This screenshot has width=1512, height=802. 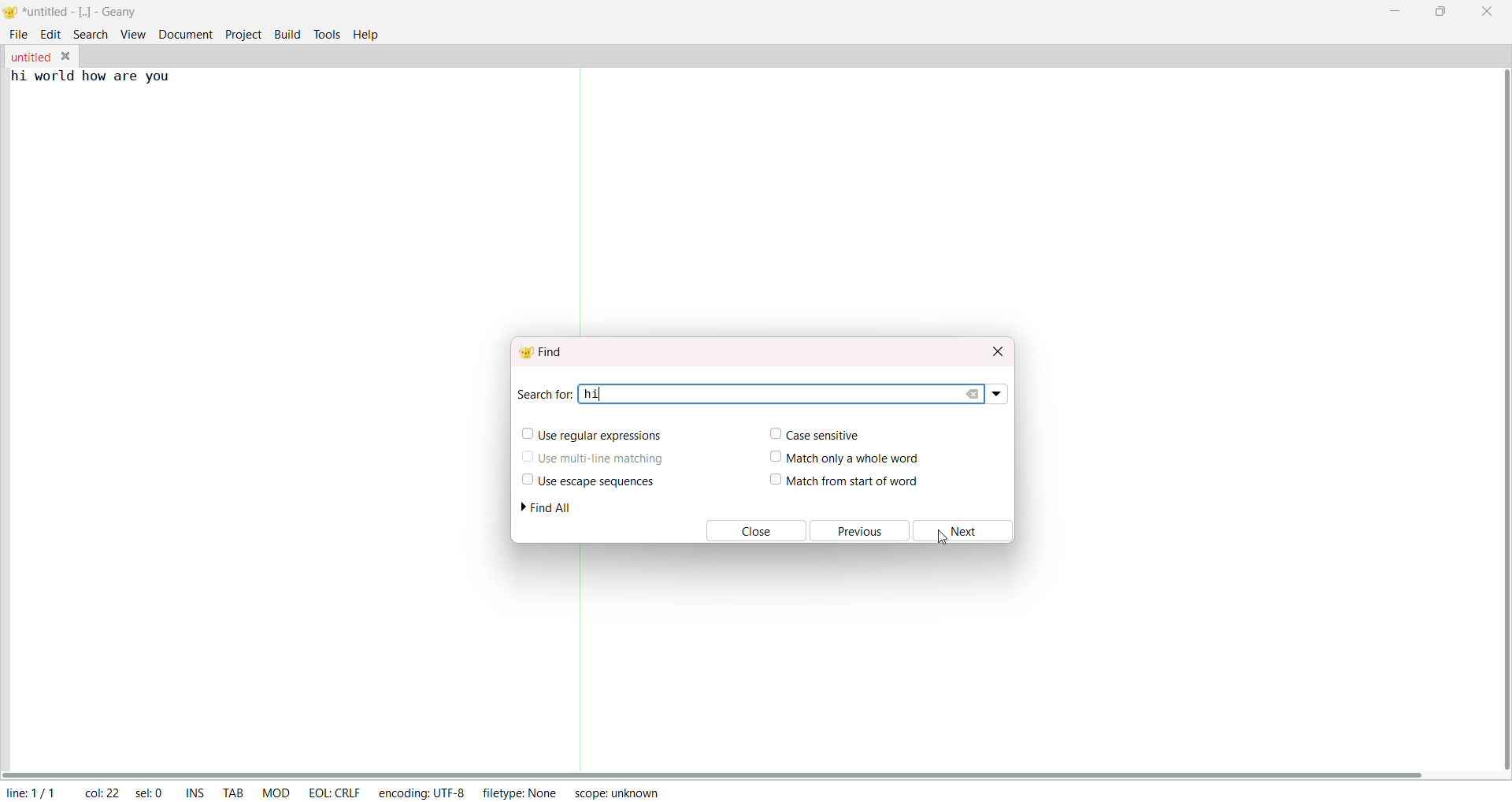 I want to click on vertical scroll bar, so click(x=1501, y=422).